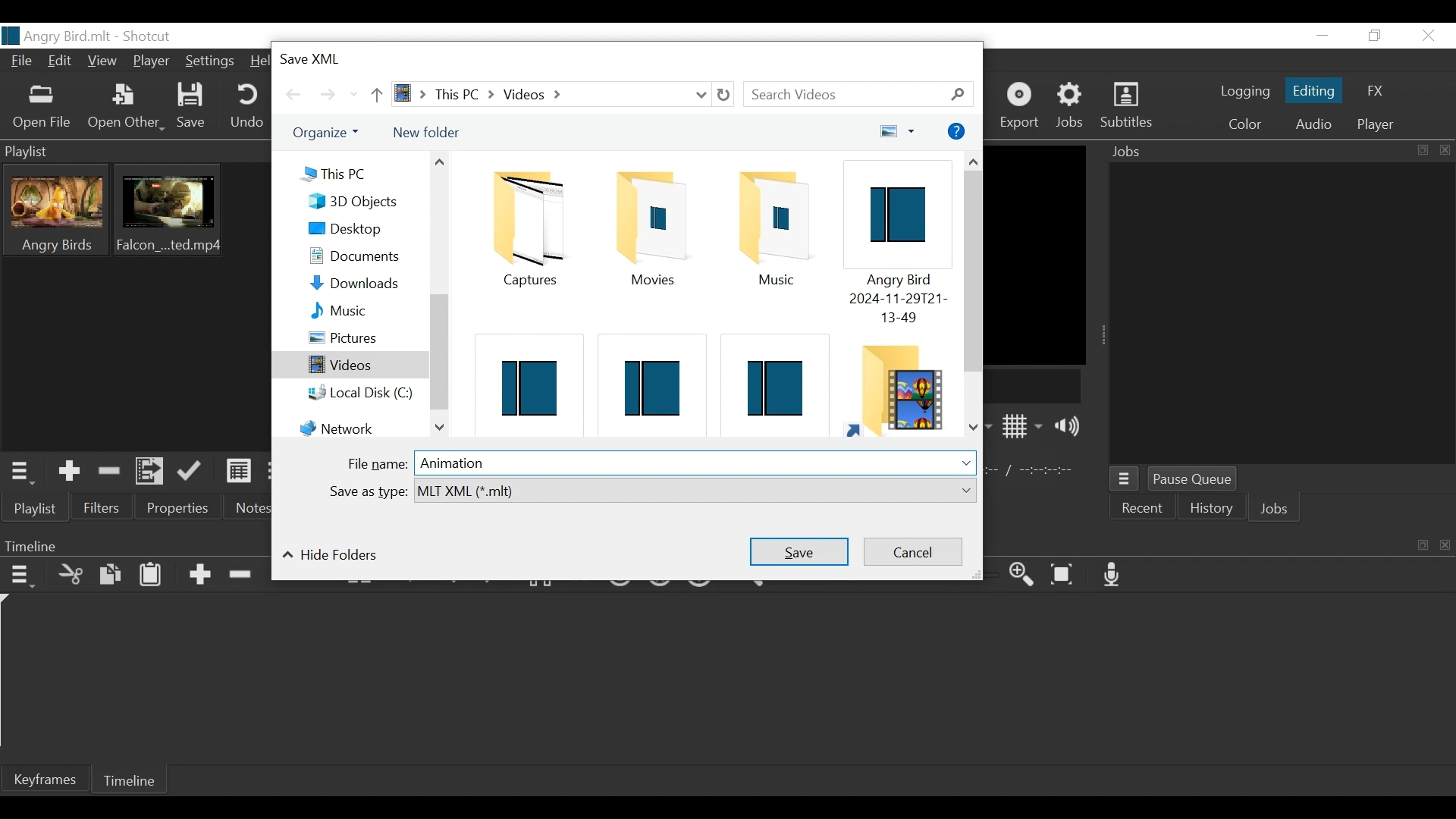 Image resolution: width=1456 pixels, height=819 pixels. I want to click on History, so click(1213, 510).